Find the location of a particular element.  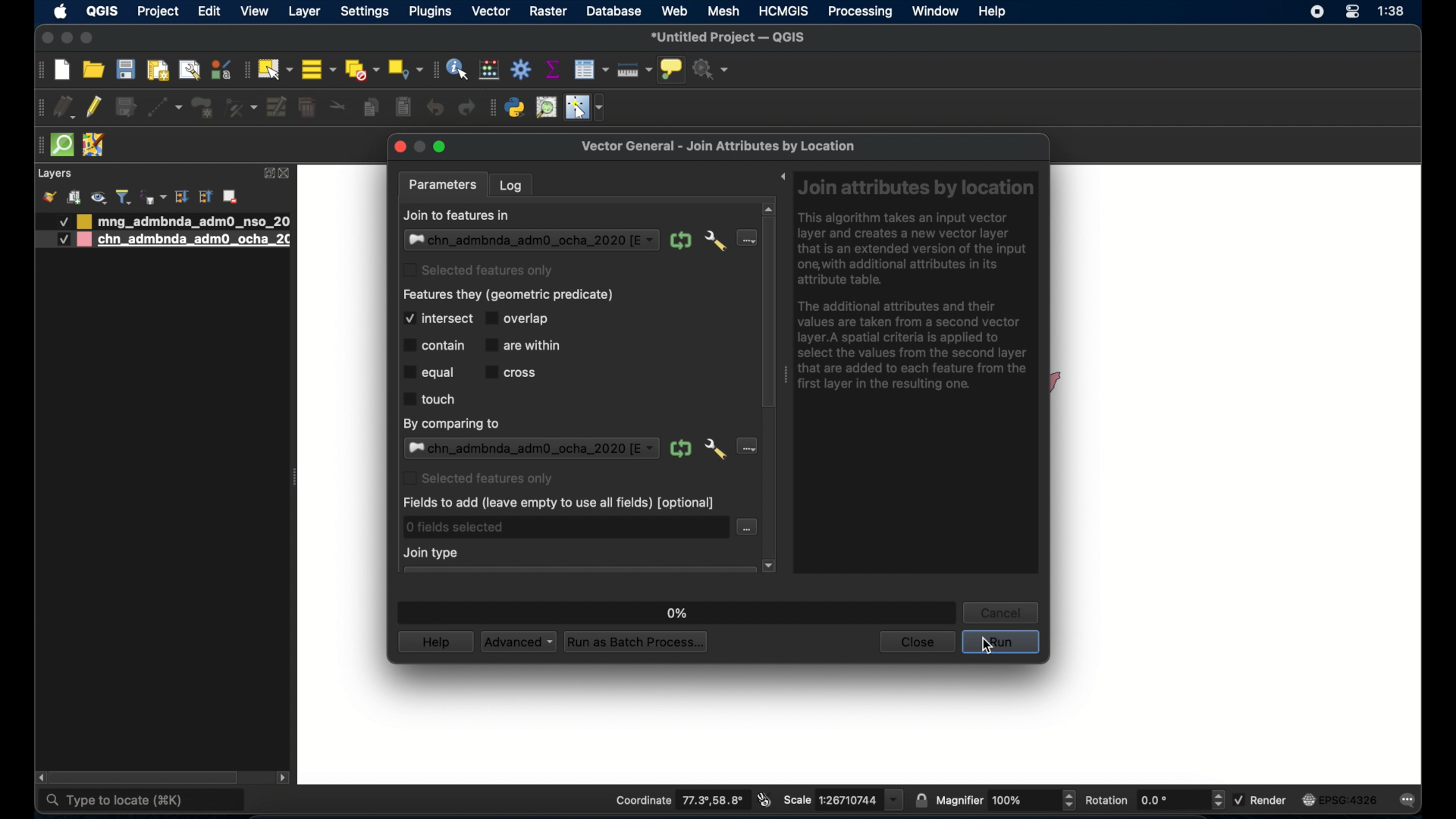

toggle editing is located at coordinates (95, 109).